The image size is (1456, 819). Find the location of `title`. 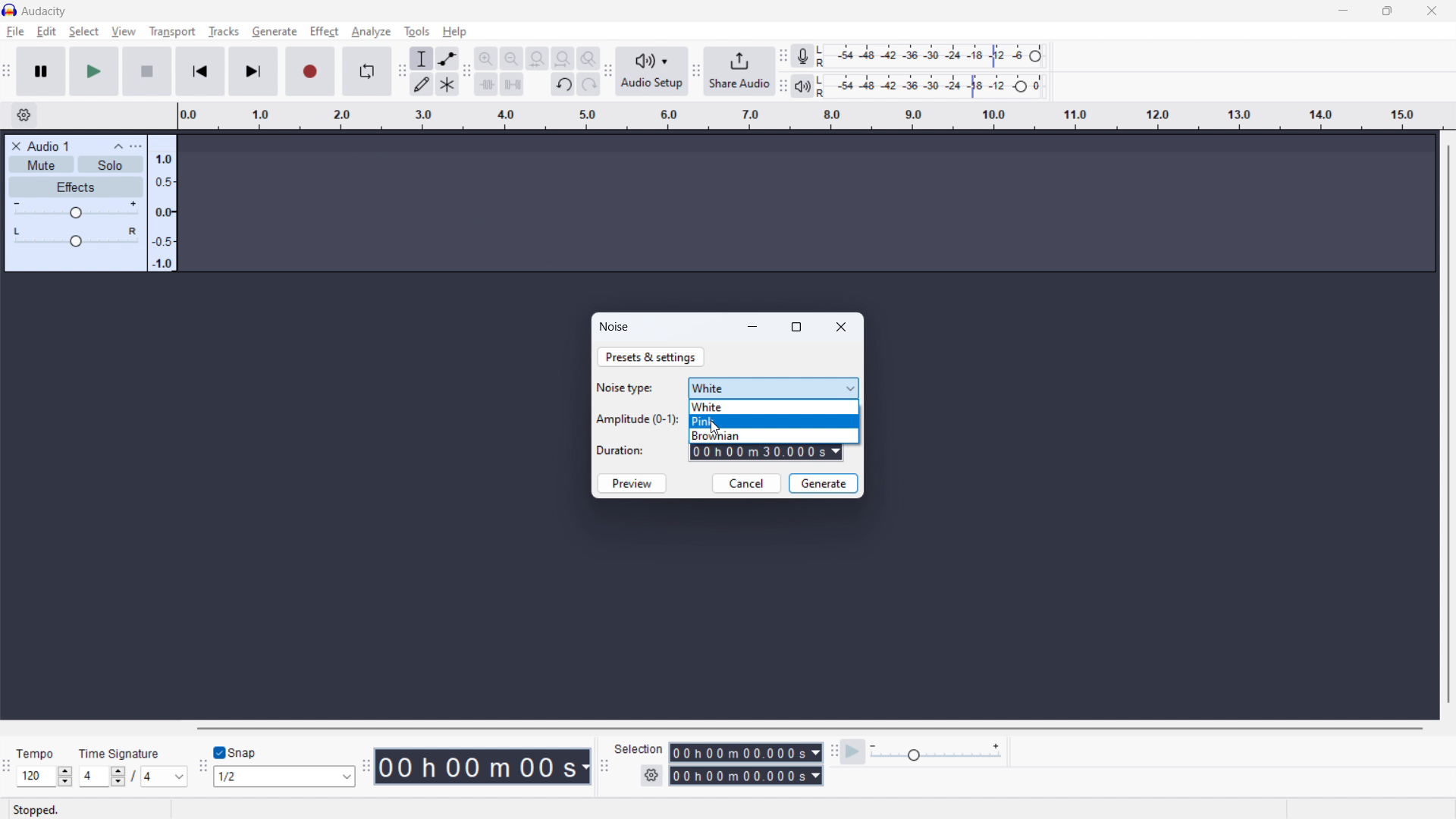

title is located at coordinates (44, 11).